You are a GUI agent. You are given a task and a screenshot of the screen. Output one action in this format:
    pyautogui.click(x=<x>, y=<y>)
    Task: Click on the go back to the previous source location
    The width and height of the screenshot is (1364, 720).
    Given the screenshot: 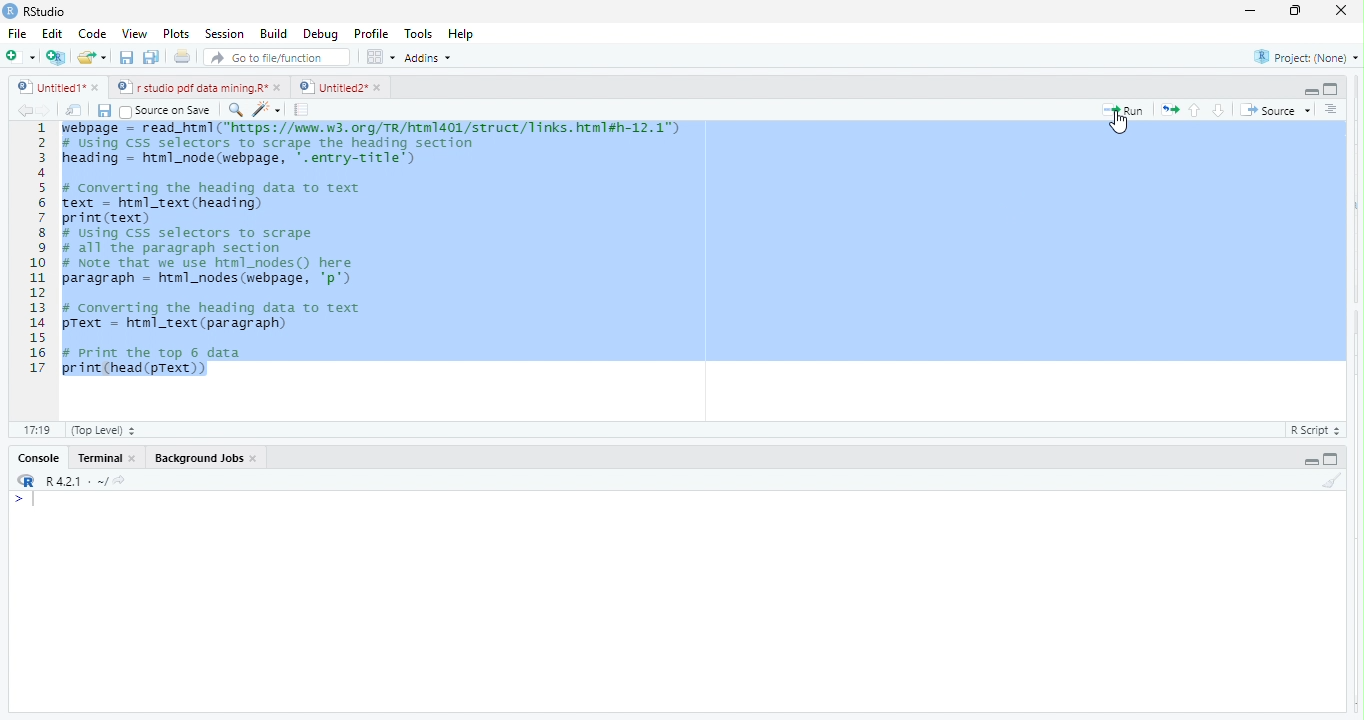 What is the action you would take?
    pyautogui.click(x=25, y=110)
    